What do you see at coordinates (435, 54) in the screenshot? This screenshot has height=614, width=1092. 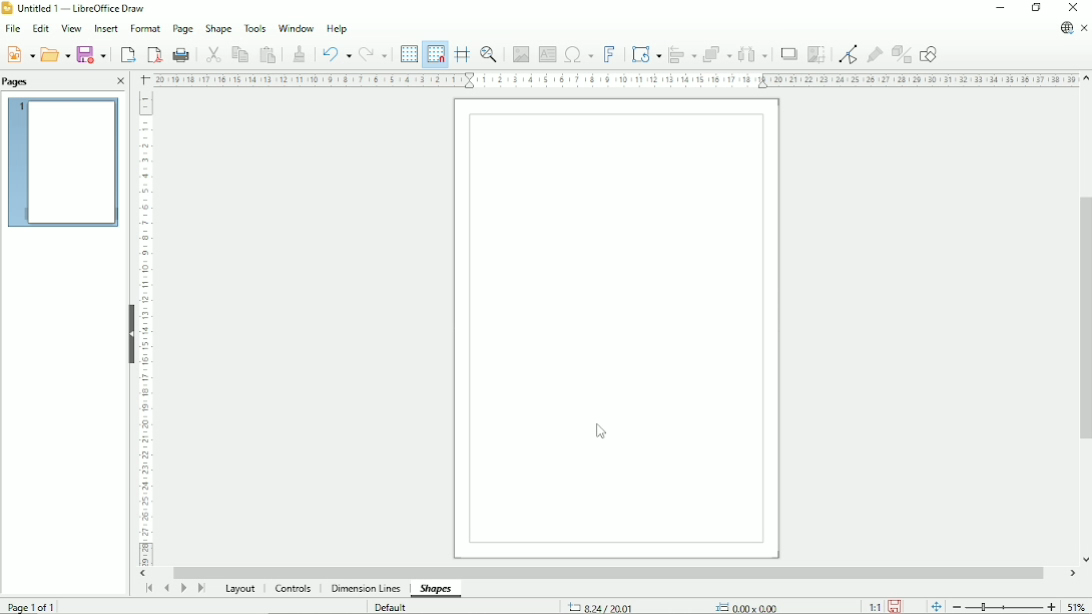 I see `Snap to grid` at bounding box center [435, 54].